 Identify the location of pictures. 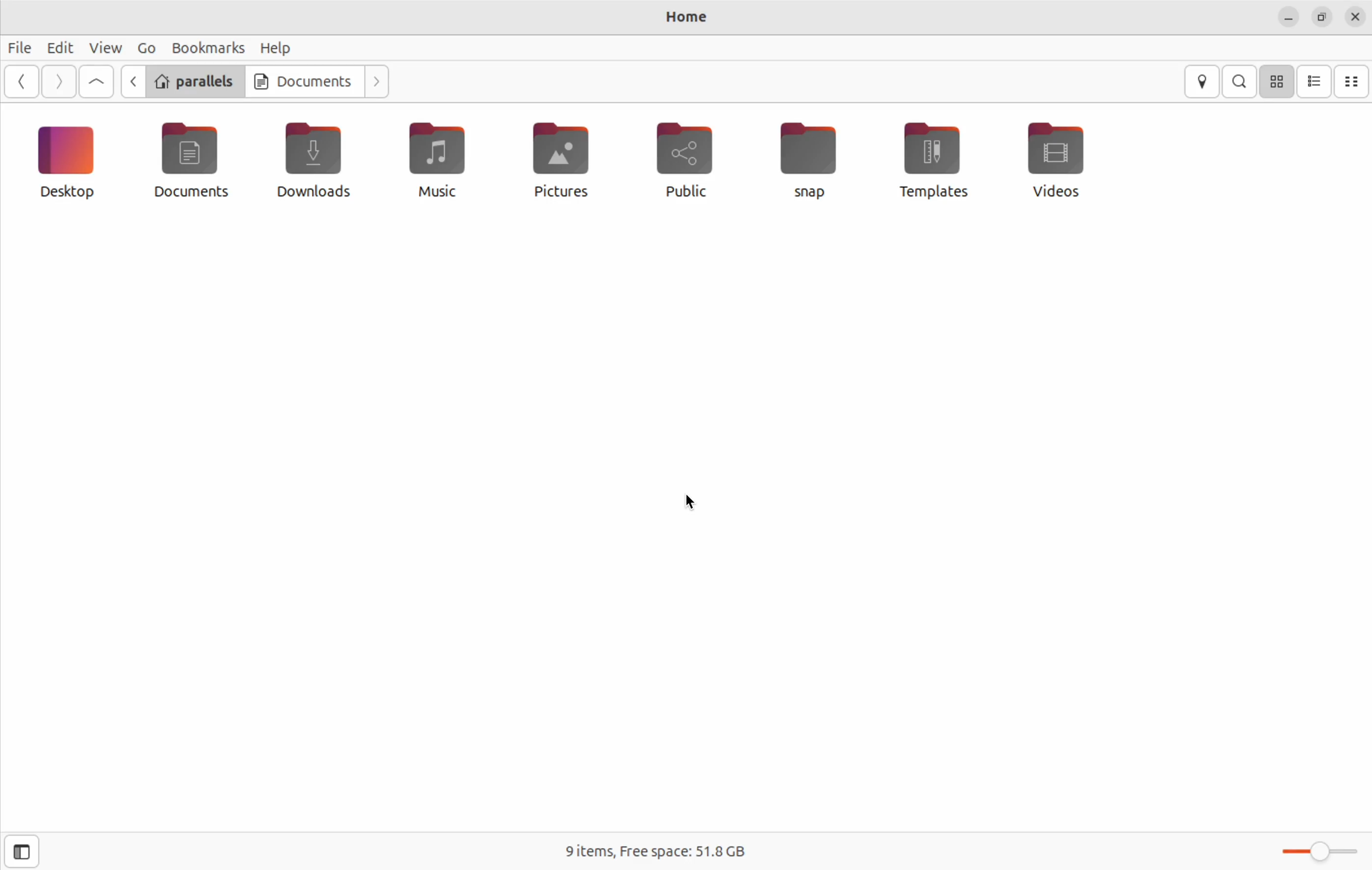
(558, 165).